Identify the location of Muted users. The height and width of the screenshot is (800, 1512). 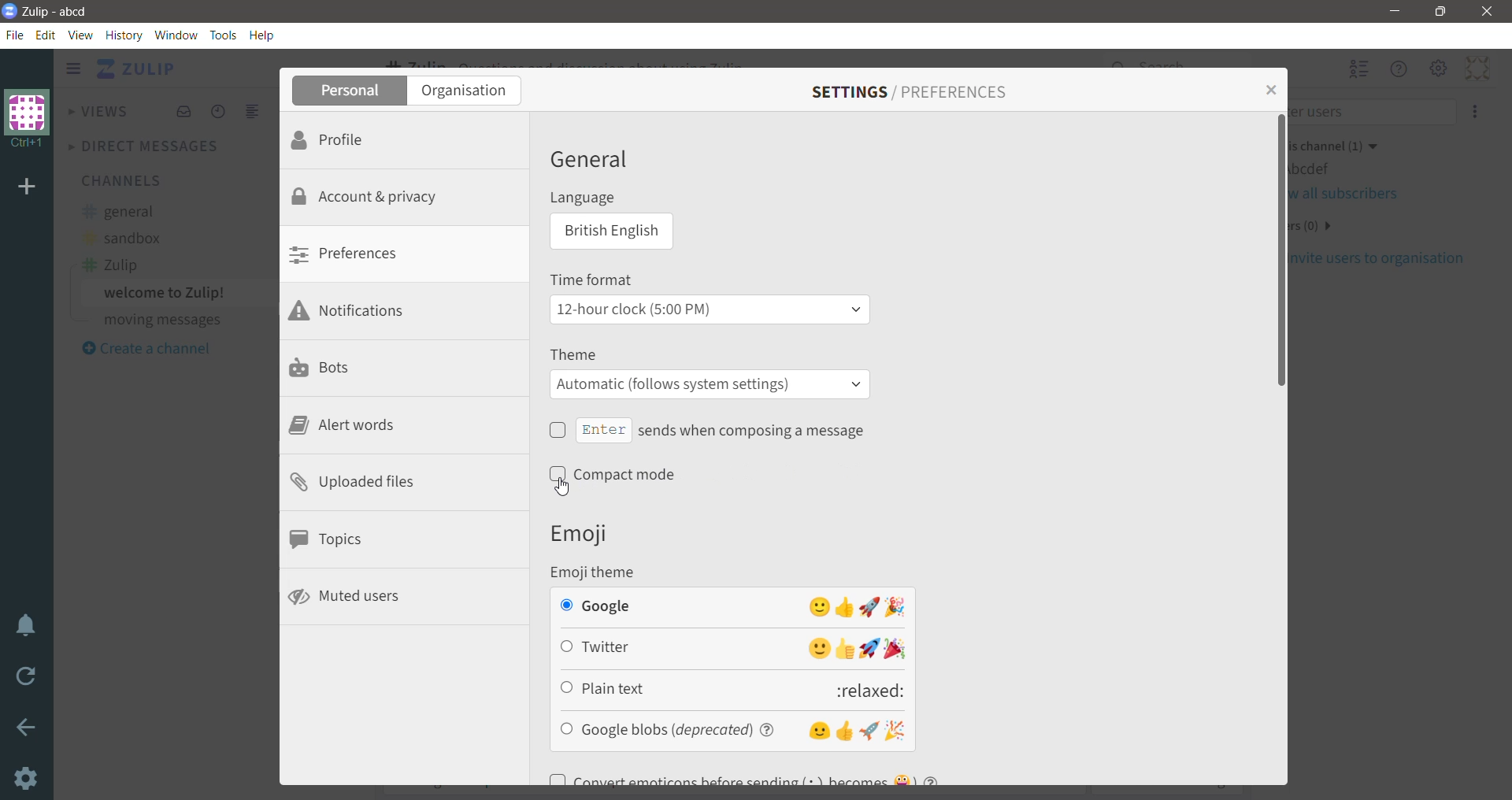
(346, 598).